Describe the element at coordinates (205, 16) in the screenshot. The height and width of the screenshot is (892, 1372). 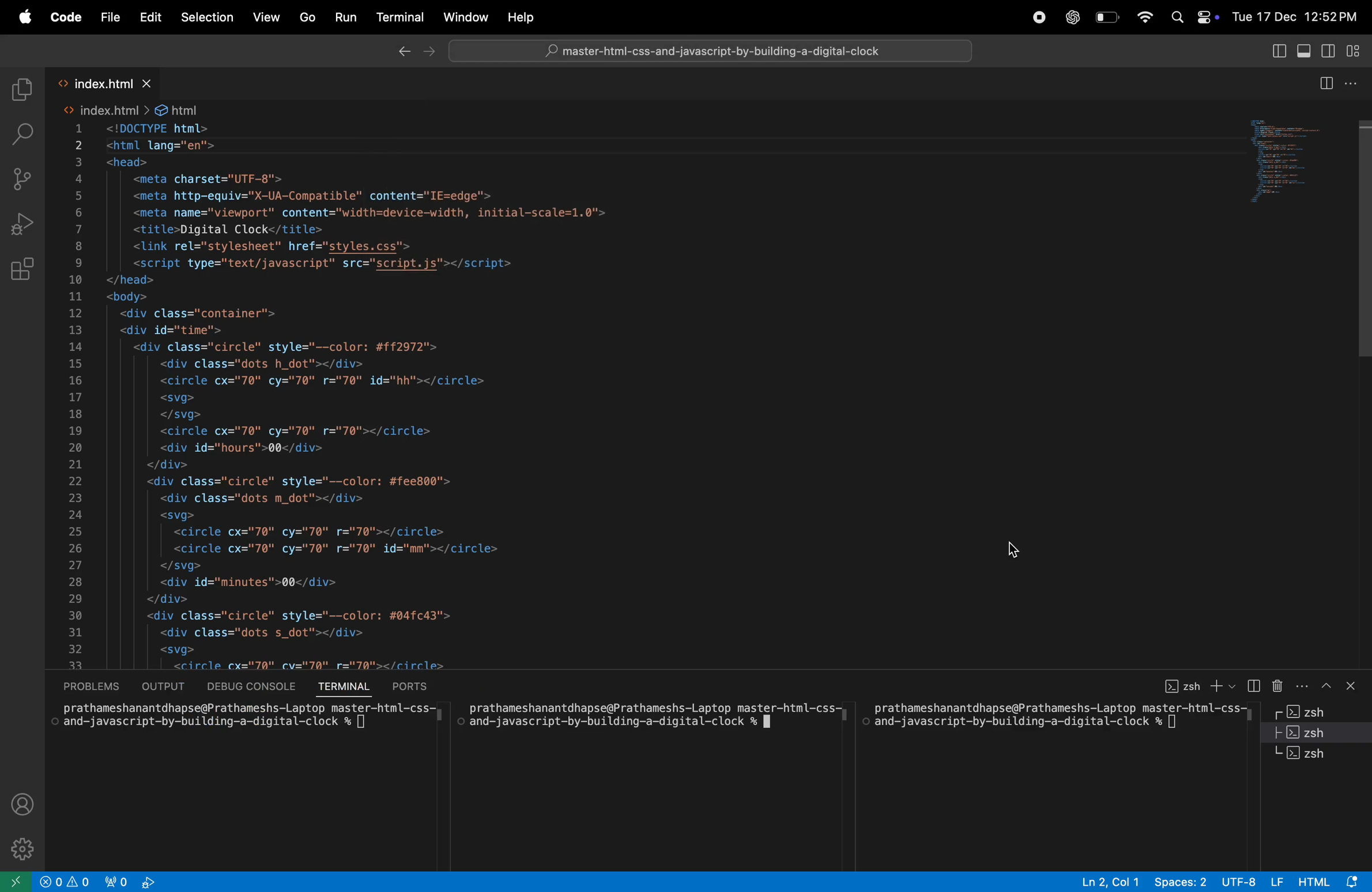
I see `selection` at that location.